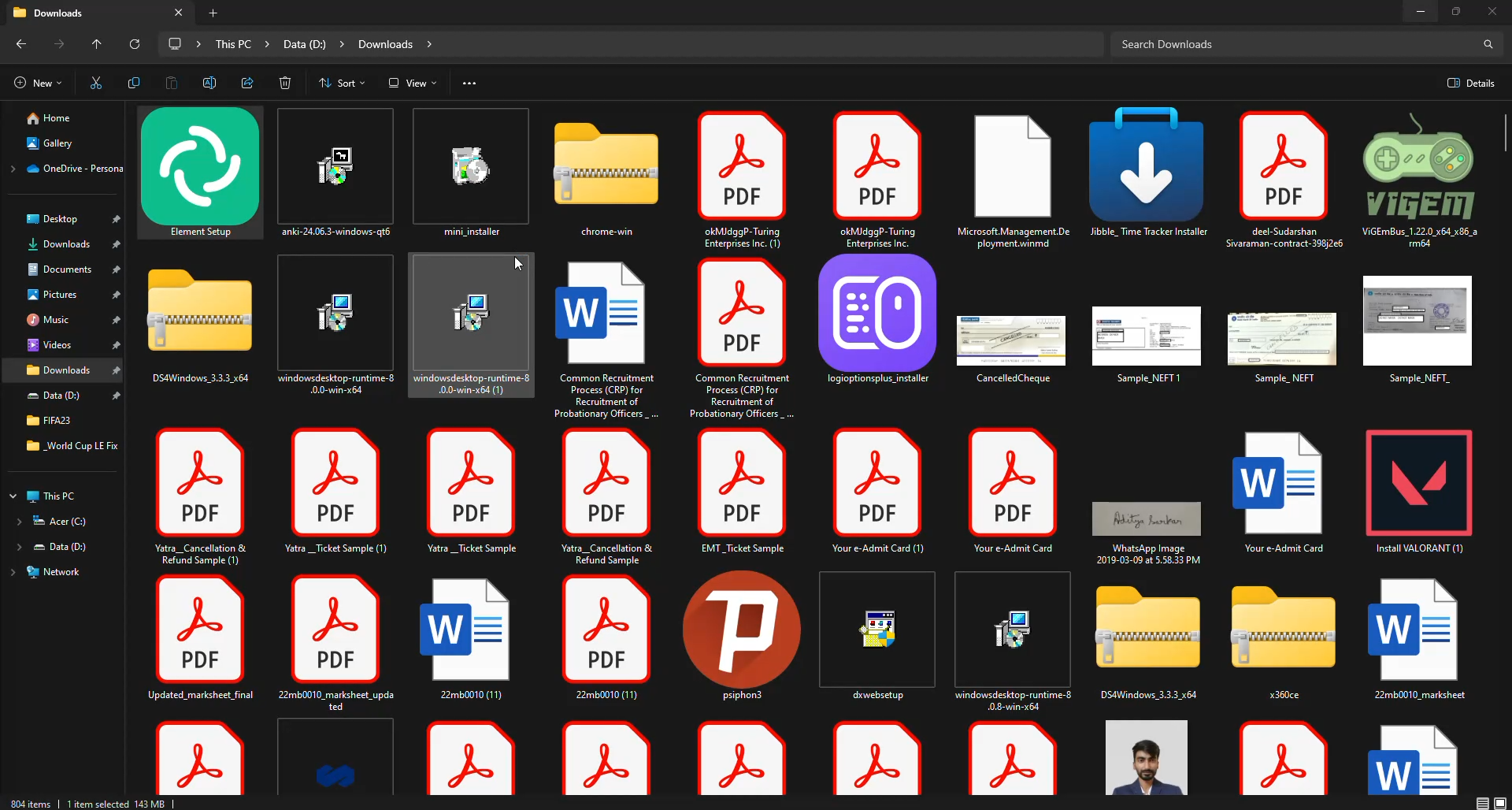  I want to click on display options, so click(1492, 802).